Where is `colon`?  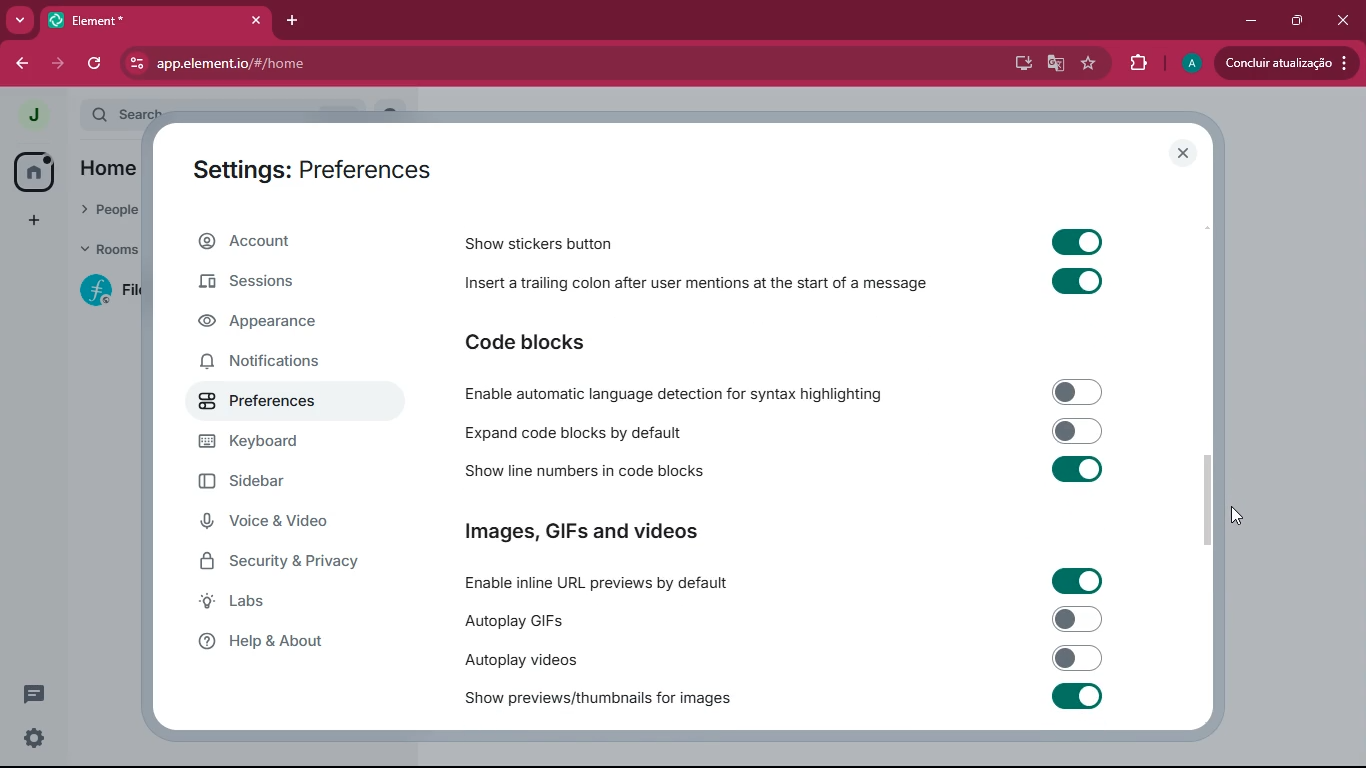
colon is located at coordinates (694, 287).